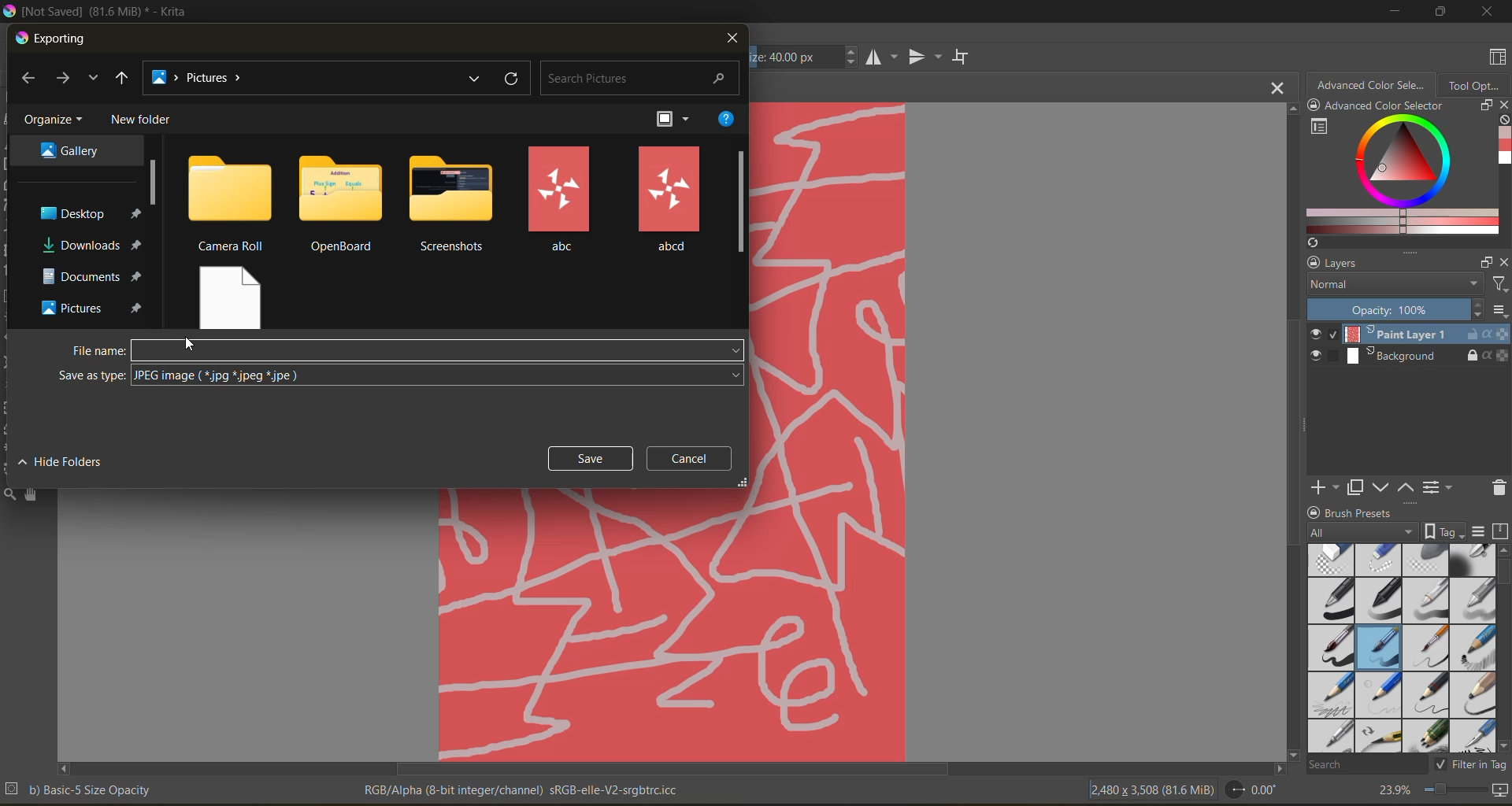 This screenshot has height=806, width=1512. What do you see at coordinates (1380, 488) in the screenshot?
I see `mask down` at bounding box center [1380, 488].